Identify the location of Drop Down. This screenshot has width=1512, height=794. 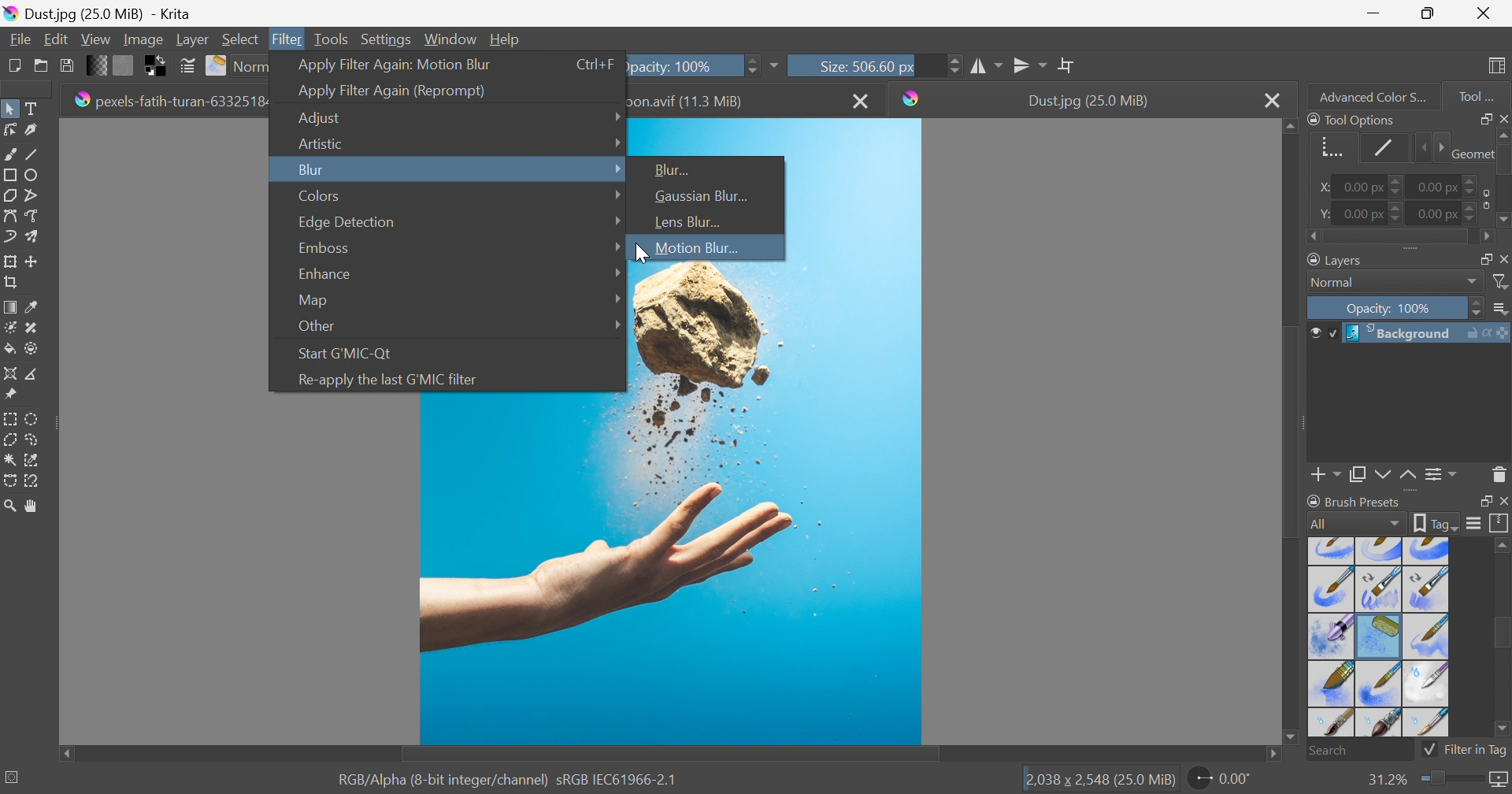
(615, 114).